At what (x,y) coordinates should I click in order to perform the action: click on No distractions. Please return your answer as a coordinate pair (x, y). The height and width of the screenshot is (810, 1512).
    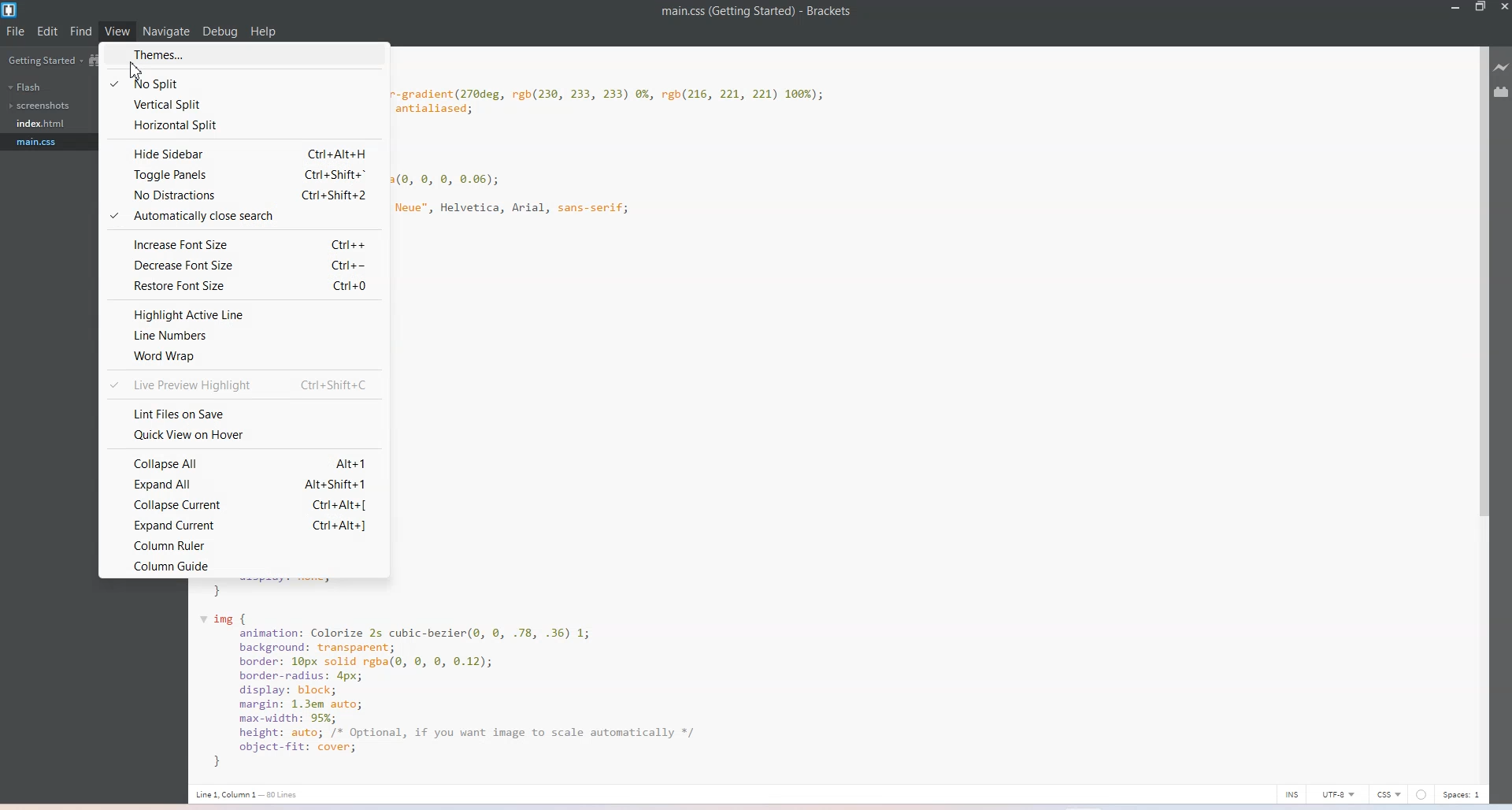
    Looking at the image, I should click on (243, 196).